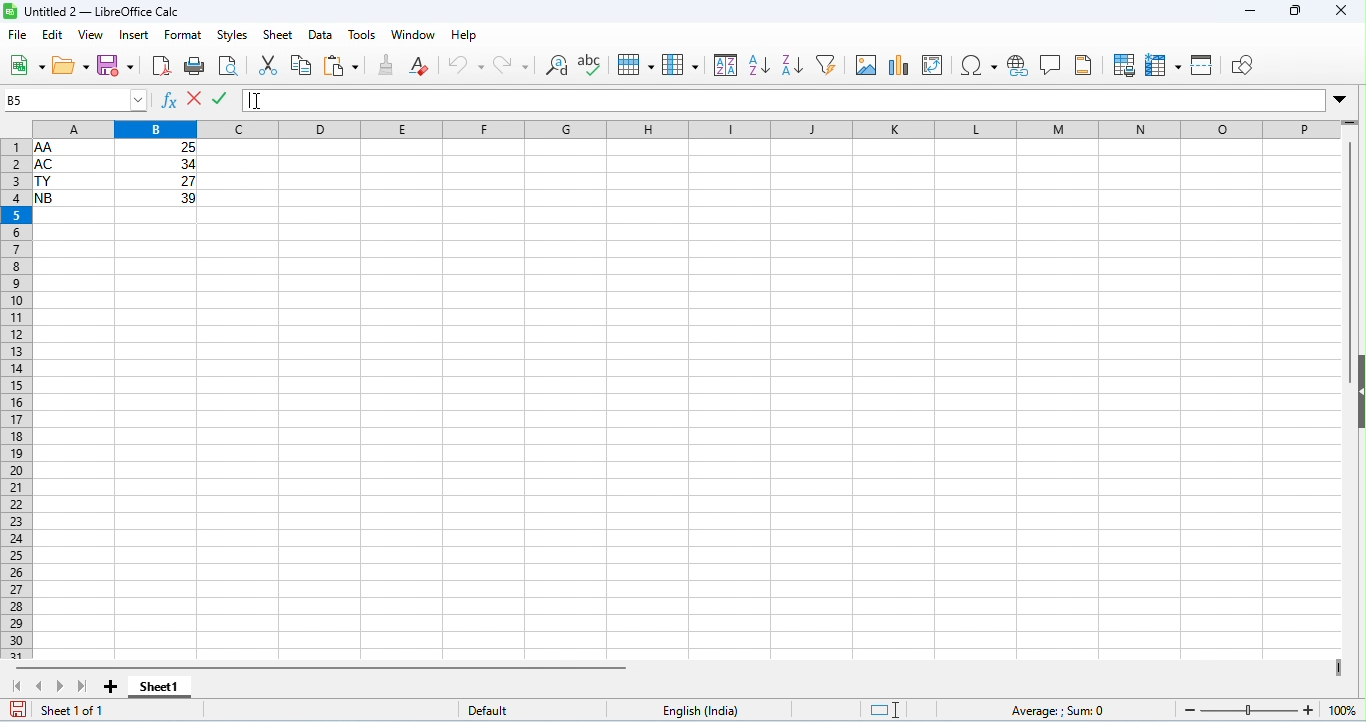  I want to click on file, so click(19, 36).